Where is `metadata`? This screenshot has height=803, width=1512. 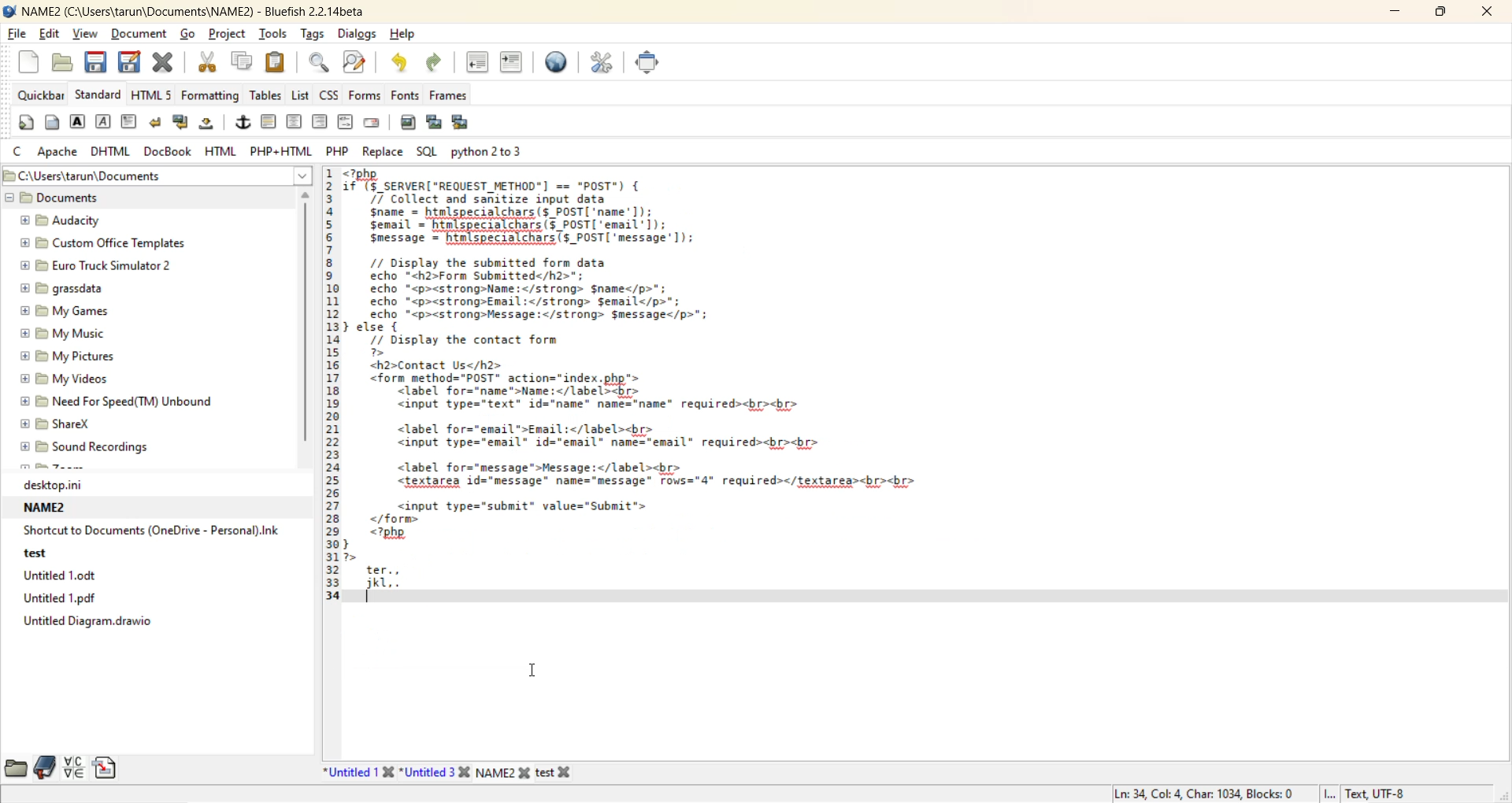
metadata is located at coordinates (1253, 790).